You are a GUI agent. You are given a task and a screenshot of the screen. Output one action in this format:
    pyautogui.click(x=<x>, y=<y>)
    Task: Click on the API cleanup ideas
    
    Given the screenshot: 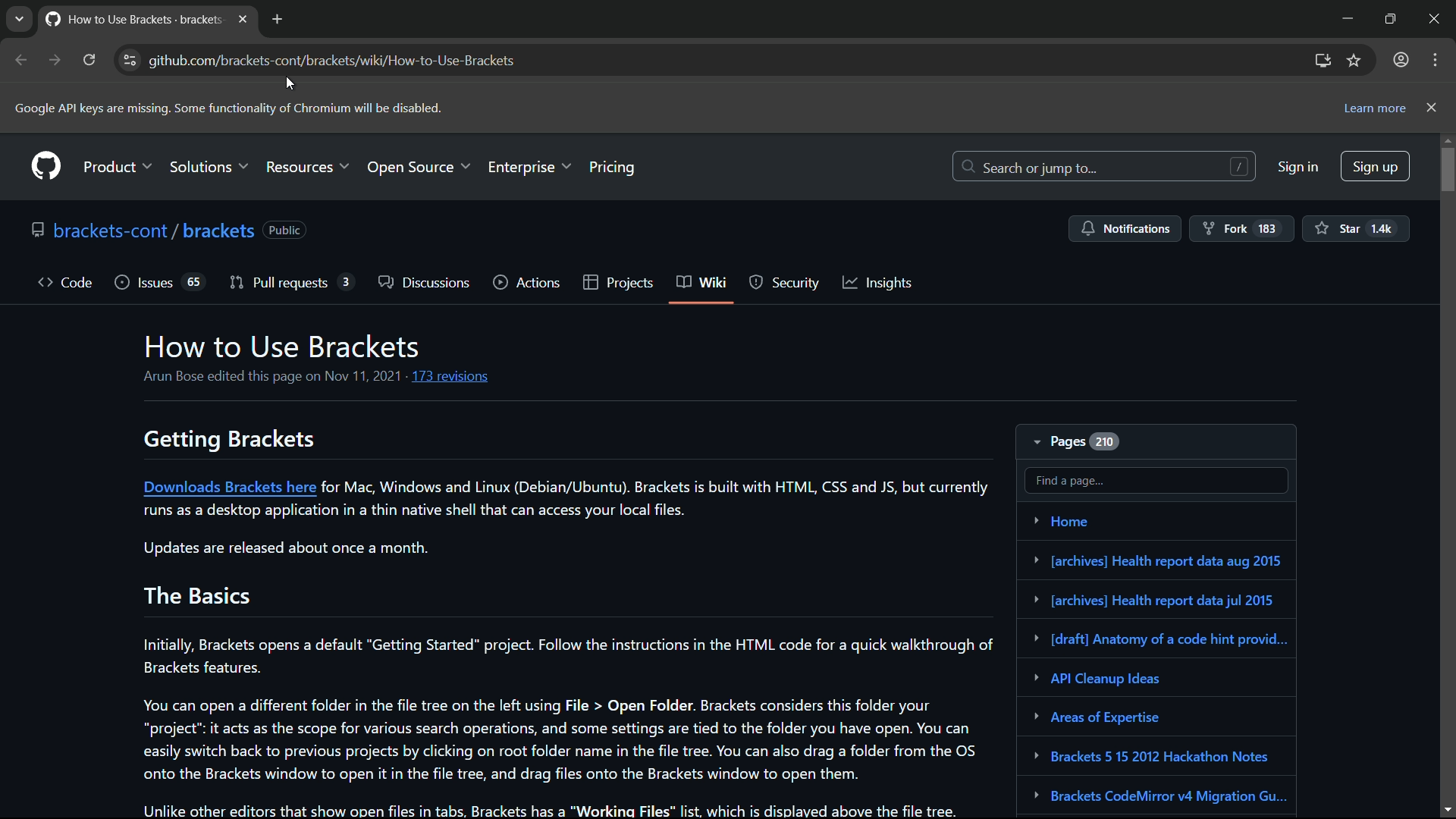 What is the action you would take?
    pyautogui.click(x=1103, y=678)
    